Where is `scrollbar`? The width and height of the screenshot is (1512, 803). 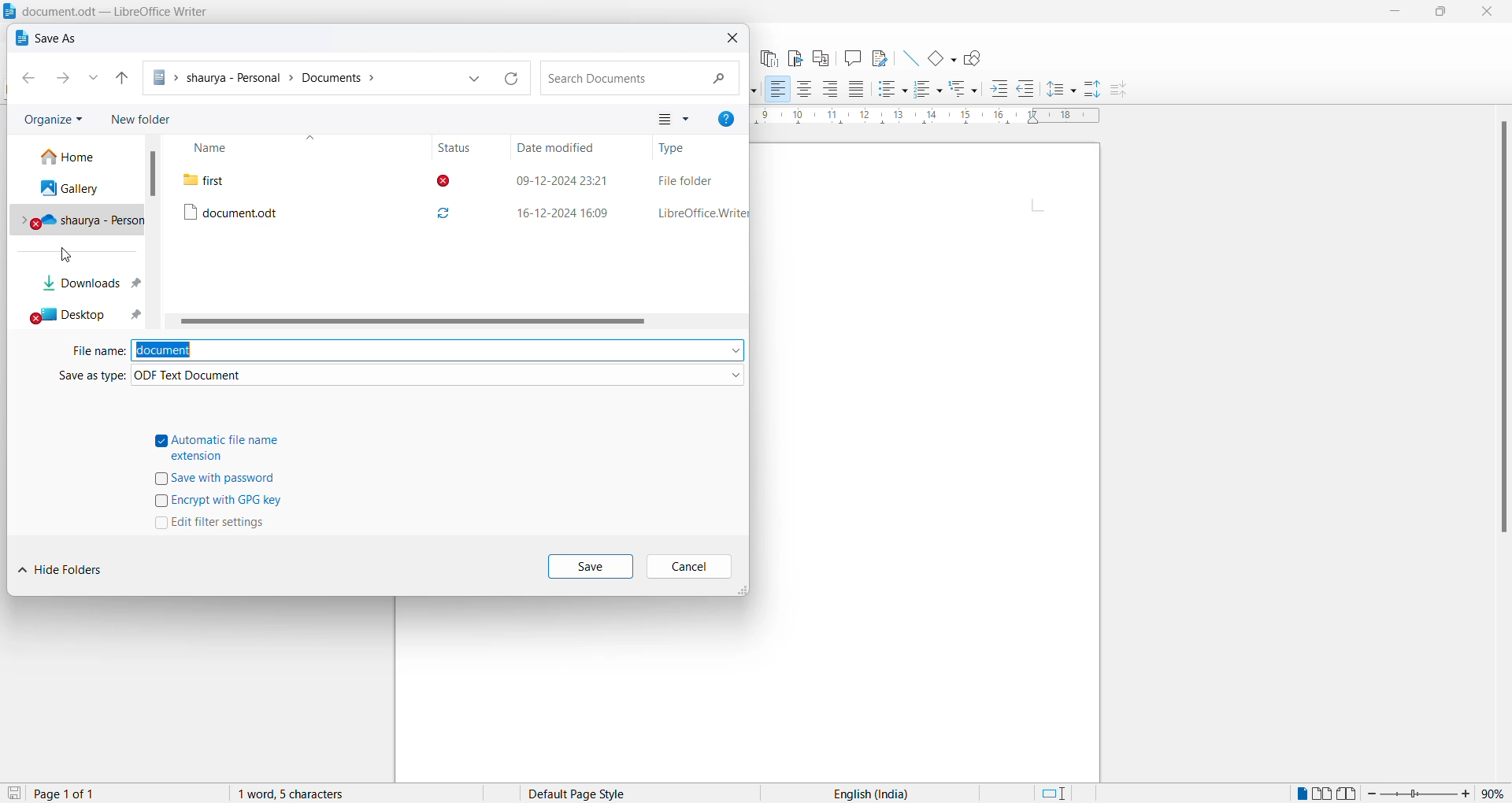 scrollbar is located at coordinates (409, 324).